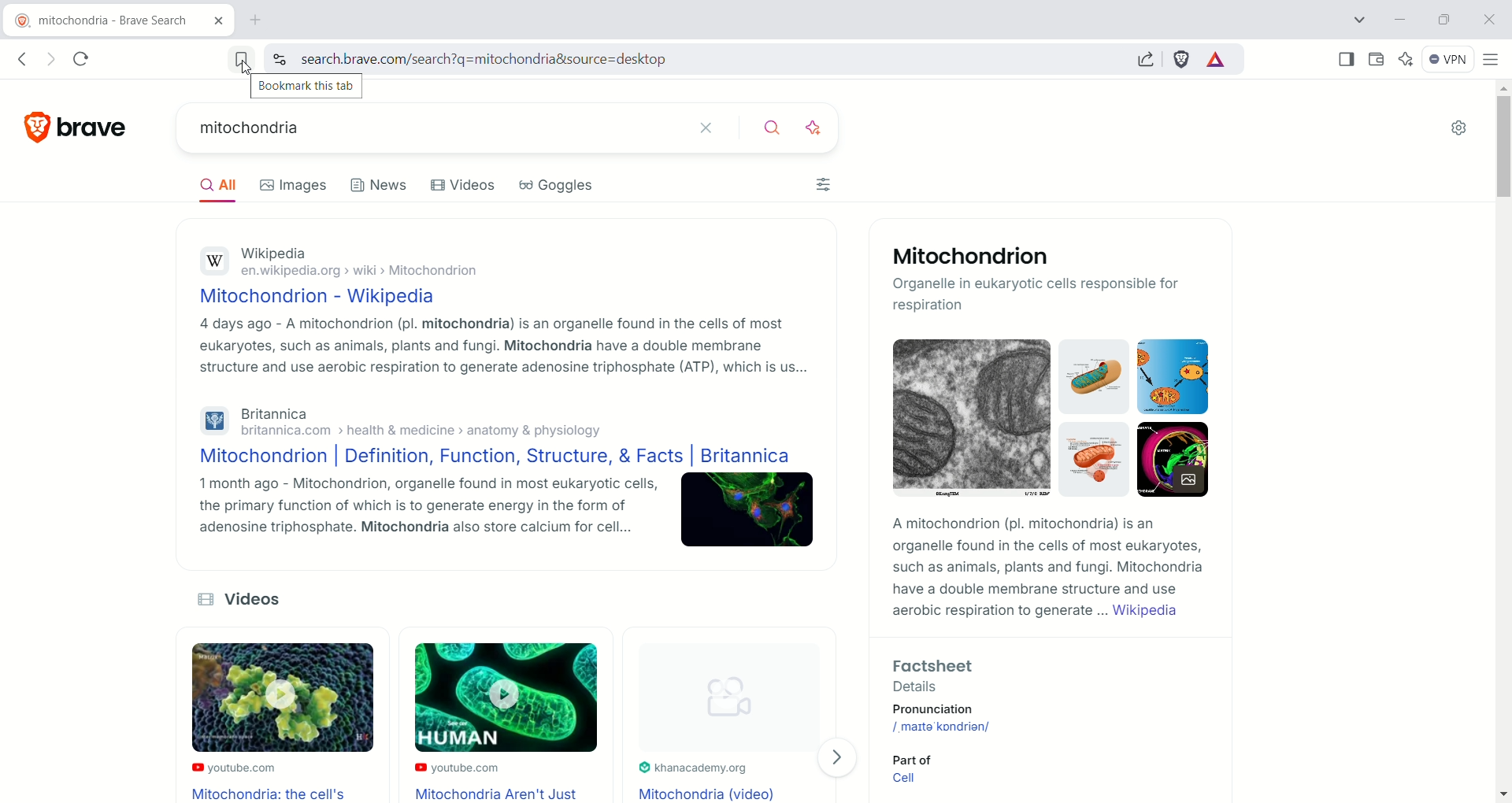 The width and height of the screenshot is (1512, 803). Describe the element at coordinates (464, 186) in the screenshot. I see `Videos` at that location.